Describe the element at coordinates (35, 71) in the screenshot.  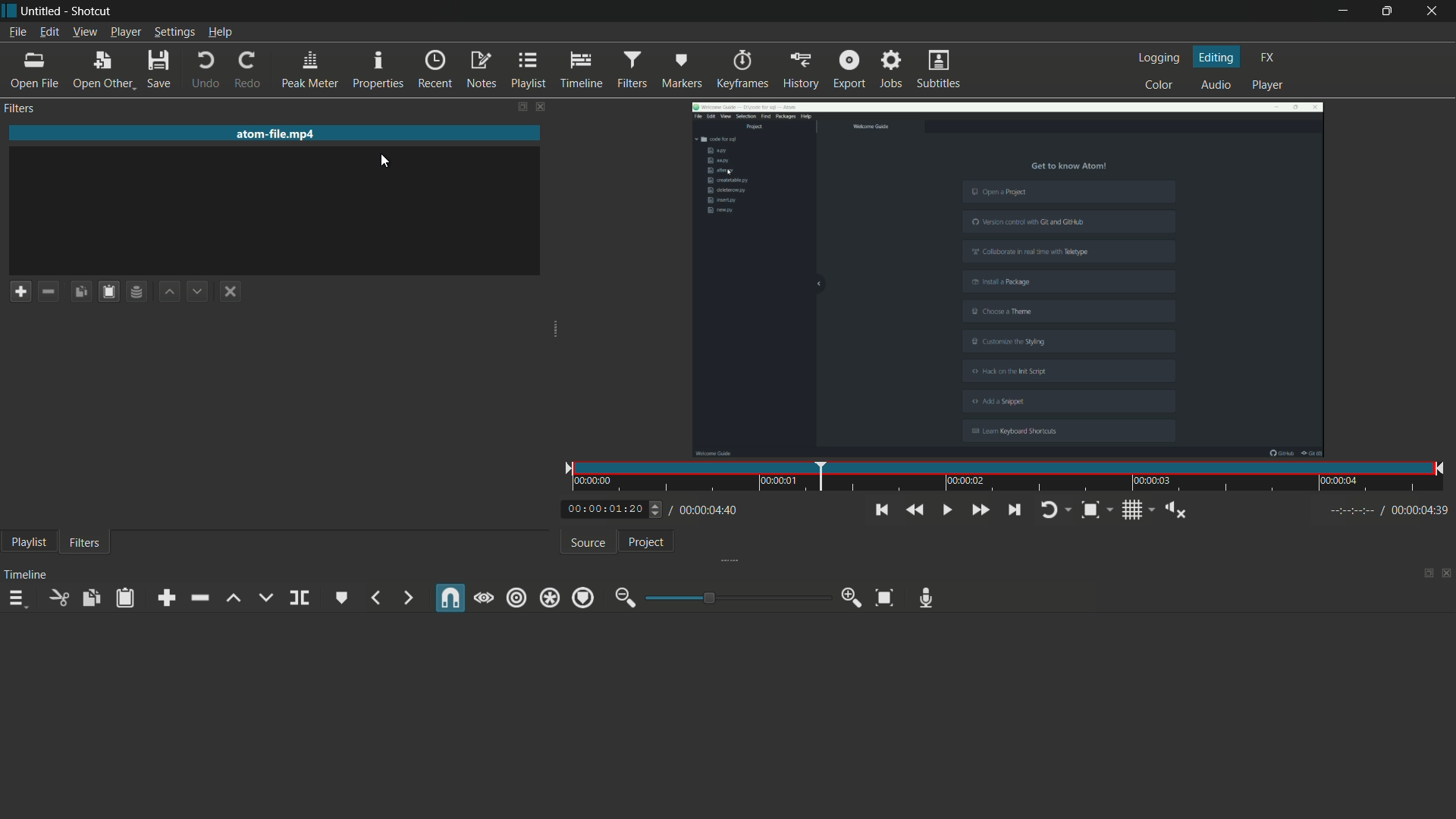
I see `open file` at that location.